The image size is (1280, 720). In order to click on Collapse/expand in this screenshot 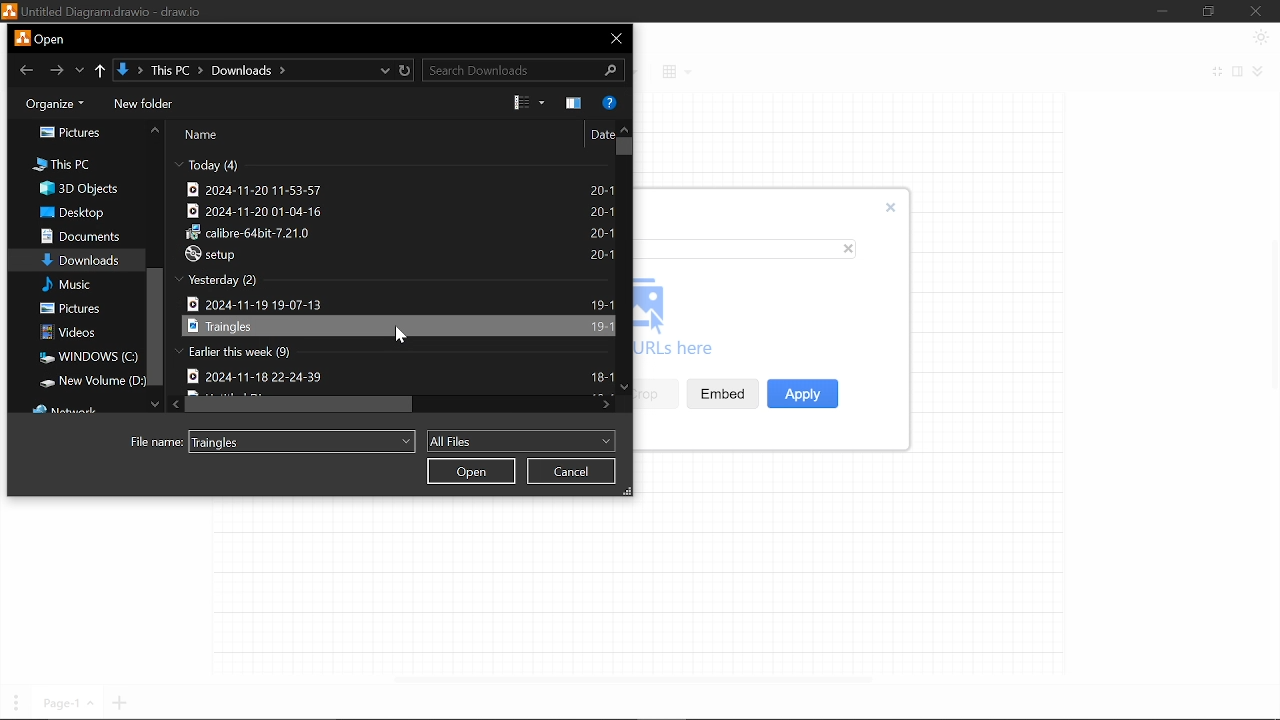, I will do `click(1261, 73)`.